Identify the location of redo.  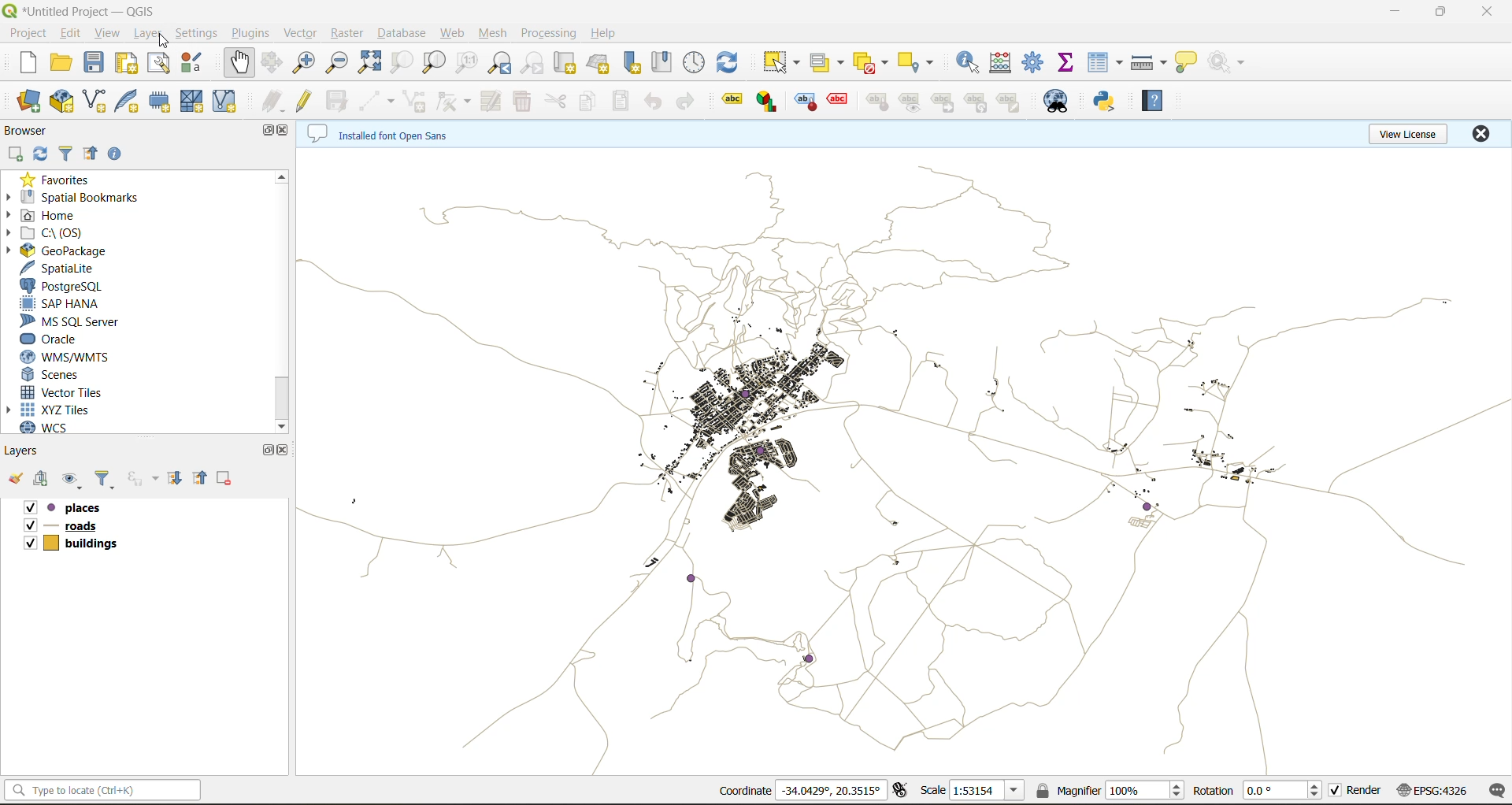
(691, 102).